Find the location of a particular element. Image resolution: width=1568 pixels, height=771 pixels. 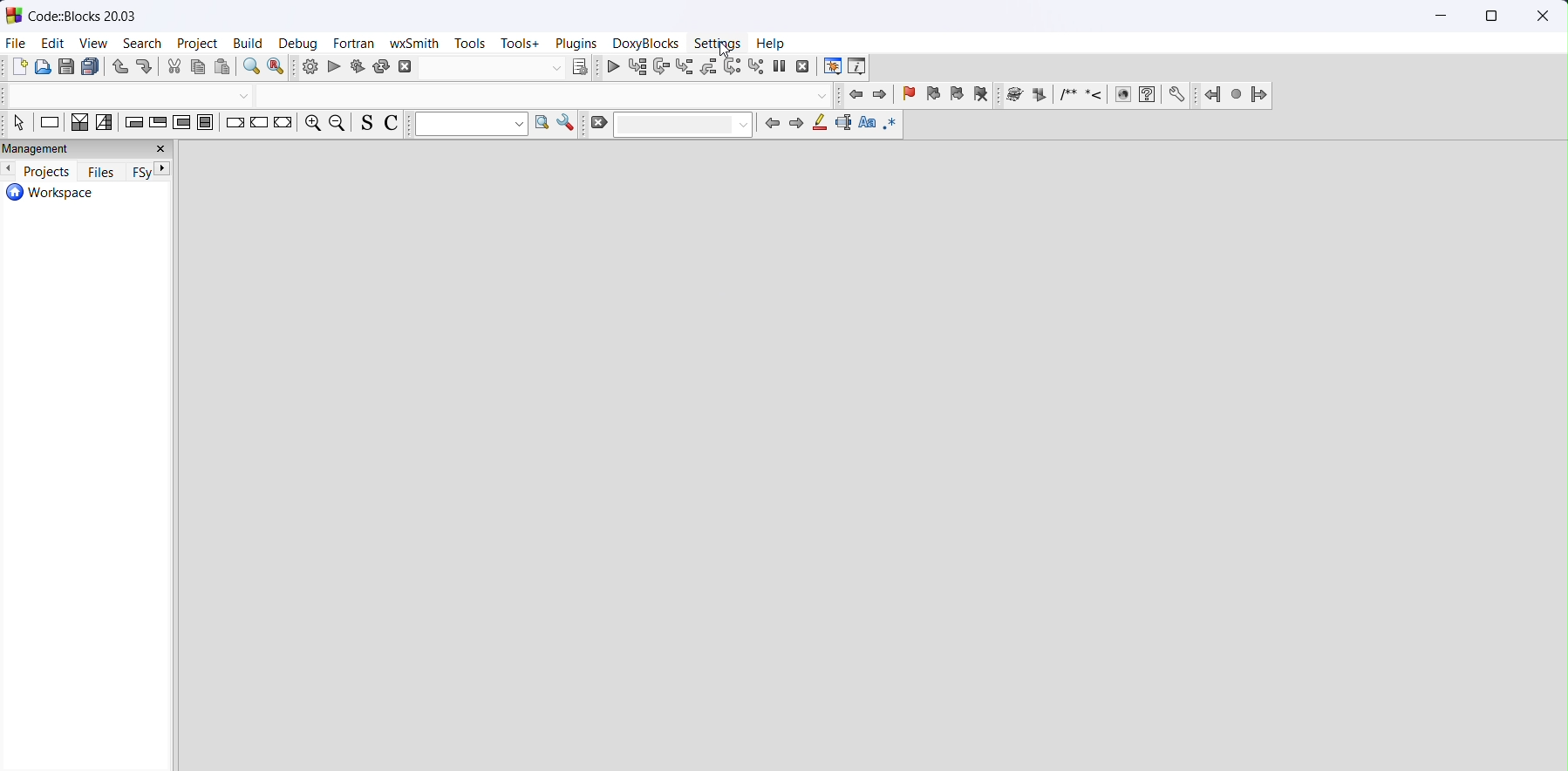

instruction is located at coordinates (48, 124).